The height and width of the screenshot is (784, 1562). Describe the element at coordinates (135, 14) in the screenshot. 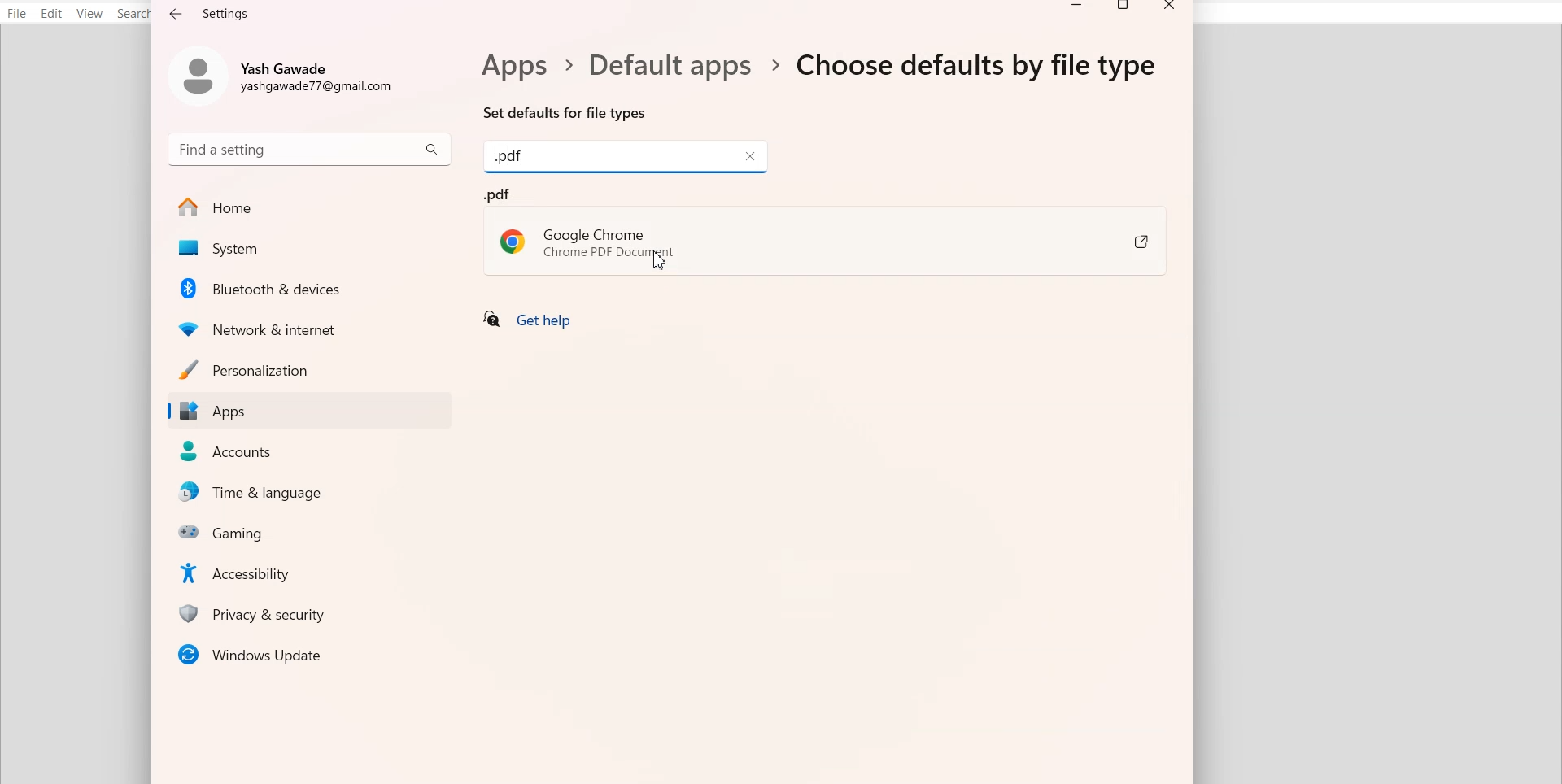

I see `Search` at that location.